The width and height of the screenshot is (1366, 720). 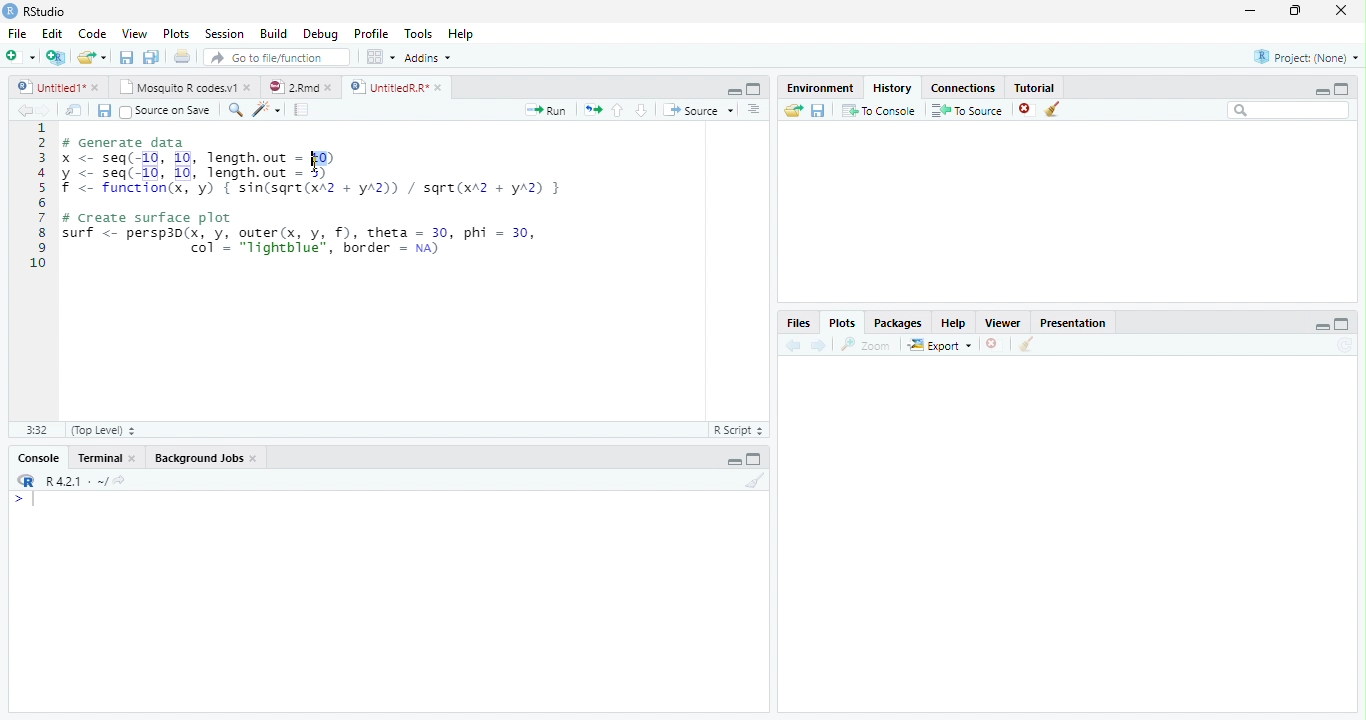 What do you see at coordinates (732, 91) in the screenshot?
I see `Minimize` at bounding box center [732, 91].